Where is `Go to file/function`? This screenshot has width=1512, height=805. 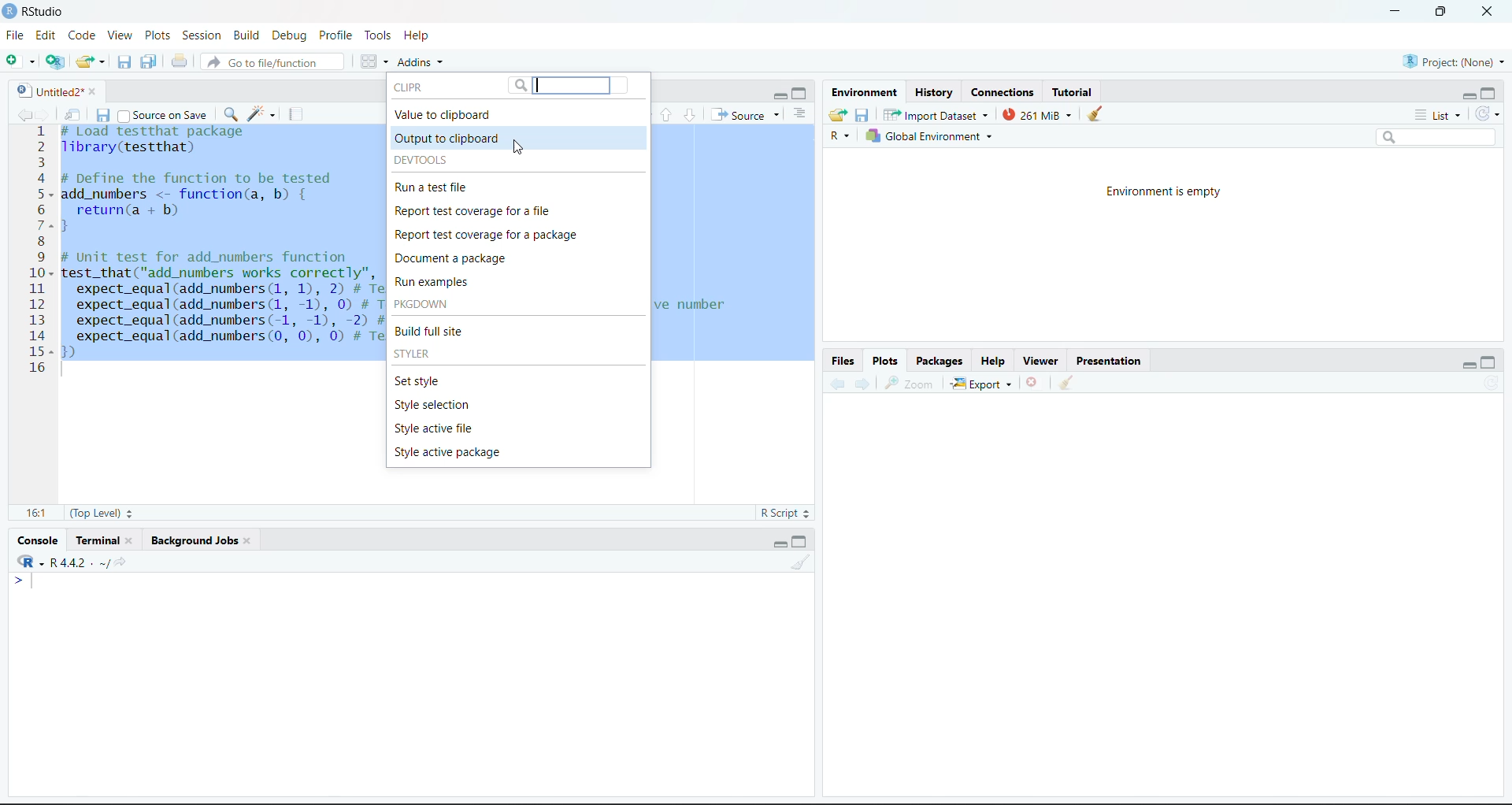
Go to file/function is located at coordinates (274, 61).